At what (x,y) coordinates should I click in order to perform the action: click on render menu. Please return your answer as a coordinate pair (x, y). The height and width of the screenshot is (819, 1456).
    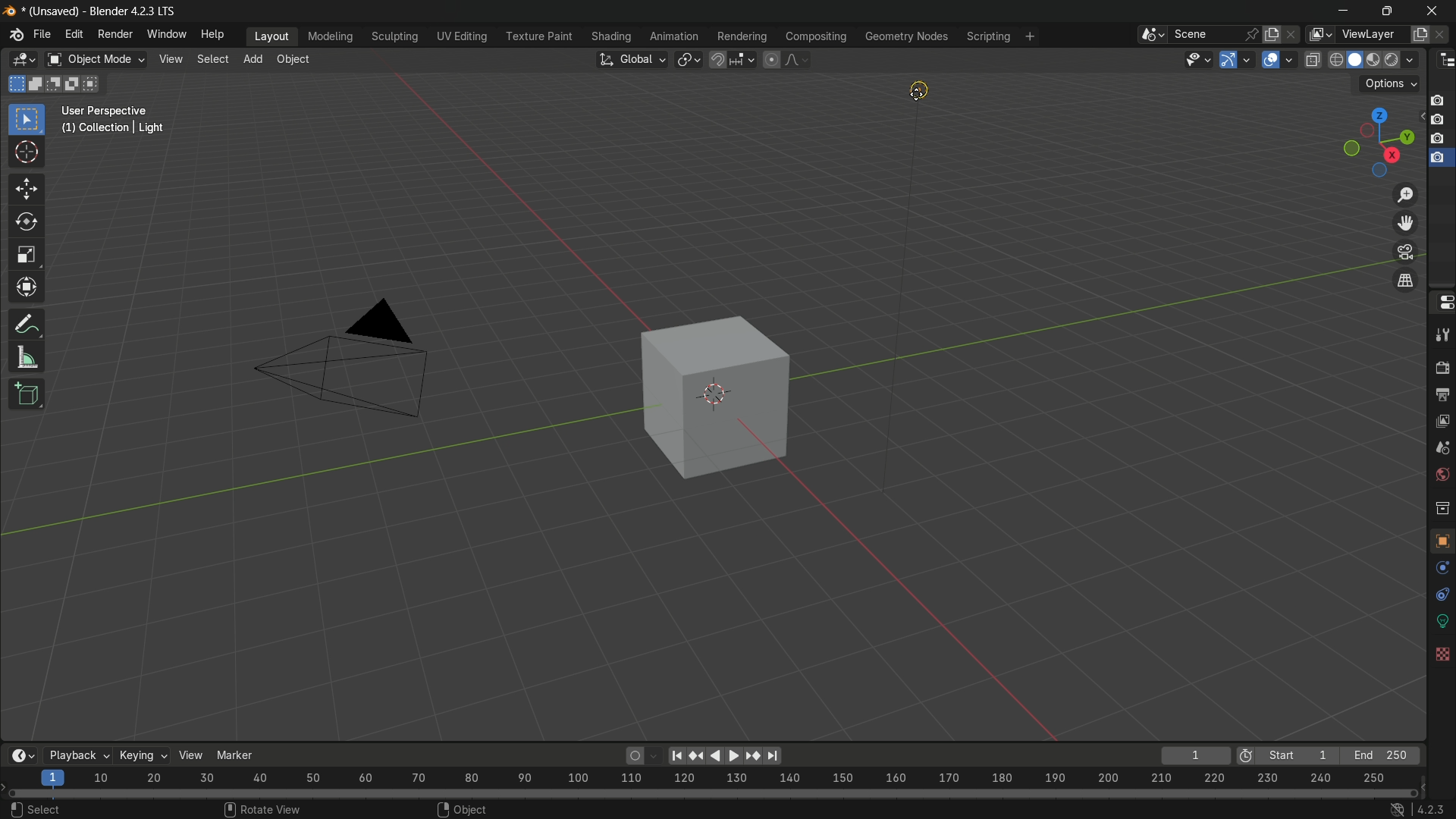
    Looking at the image, I should click on (116, 34).